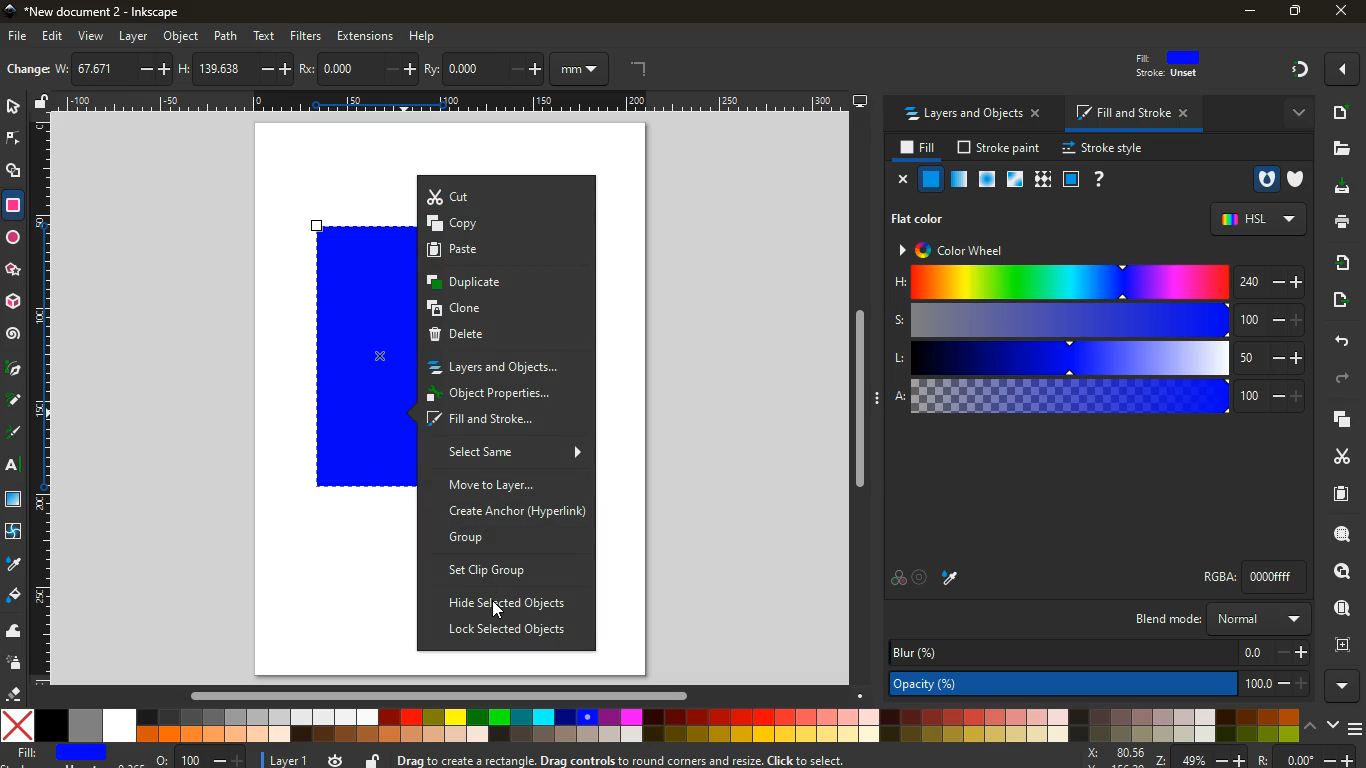 This screenshot has width=1366, height=768. Describe the element at coordinates (502, 421) in the screenshot. I see `fill and stroke` at that location.